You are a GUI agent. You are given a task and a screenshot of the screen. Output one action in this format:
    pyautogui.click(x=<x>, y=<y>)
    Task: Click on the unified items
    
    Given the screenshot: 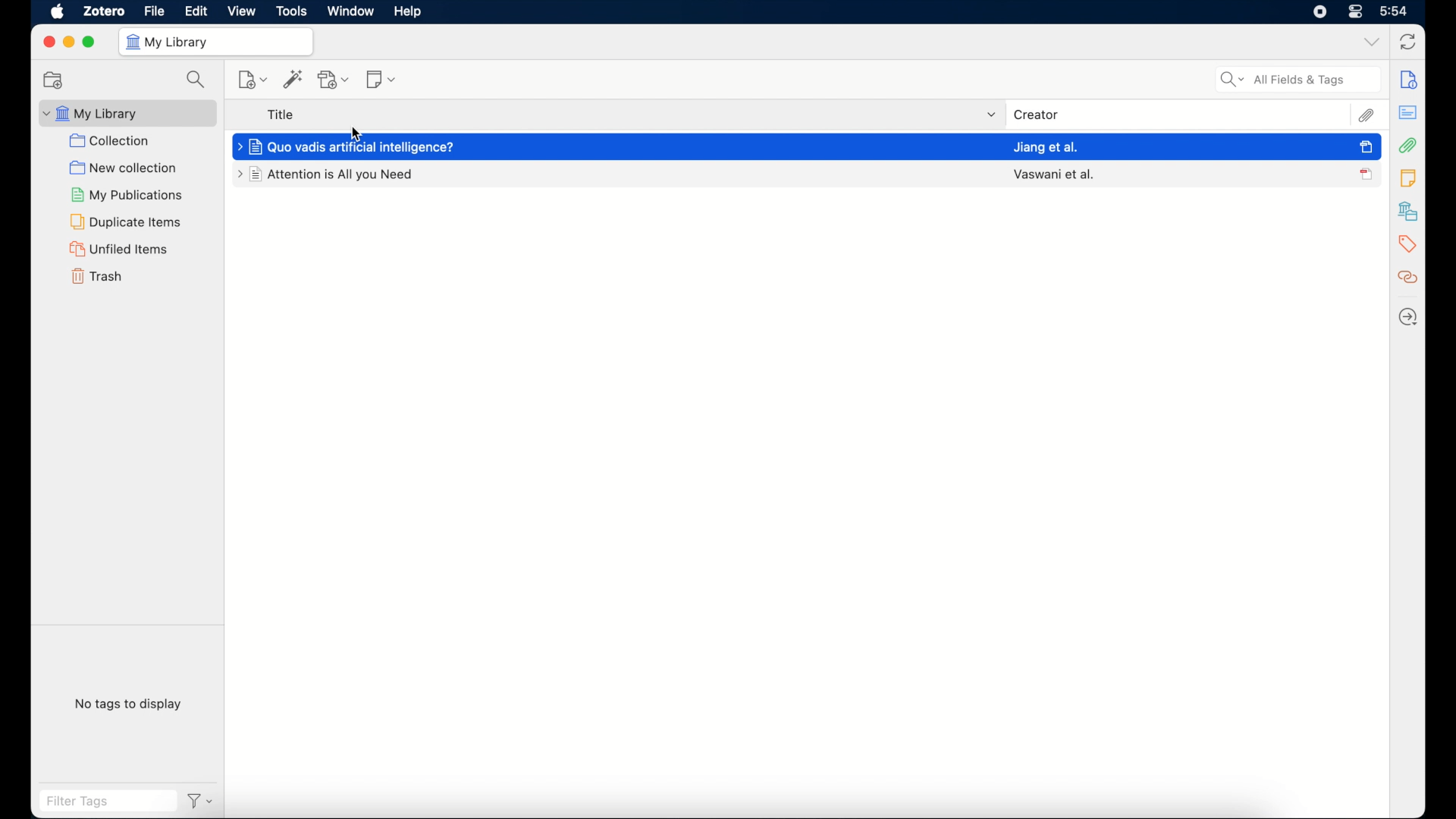 What is the action you would take?
    pyautogui.click(x=120, y=249)
    